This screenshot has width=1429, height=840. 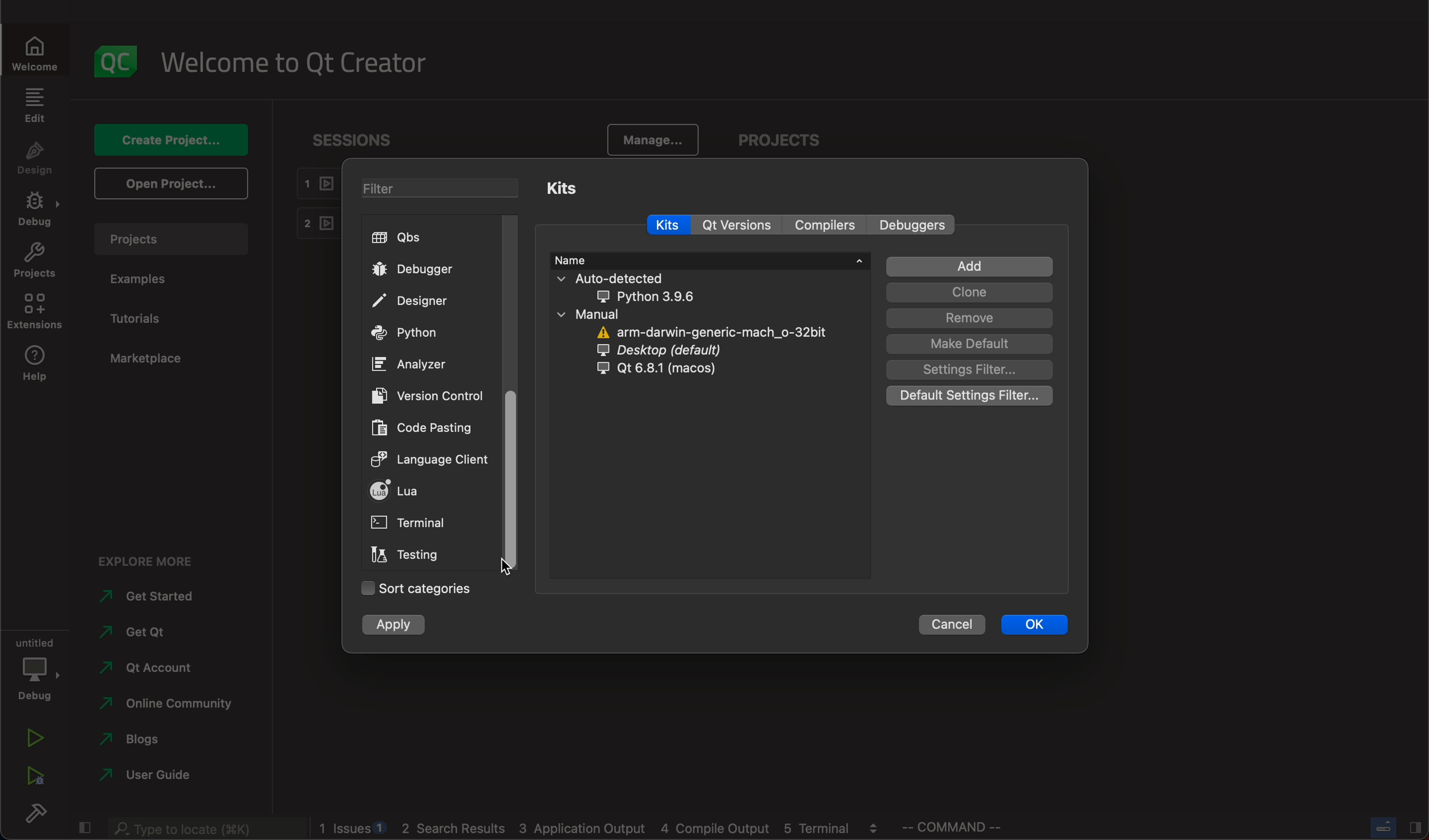 What do you see at coordinates (146, 777) in the screenshot?
I see `guide` at bounding box center [146, 777].